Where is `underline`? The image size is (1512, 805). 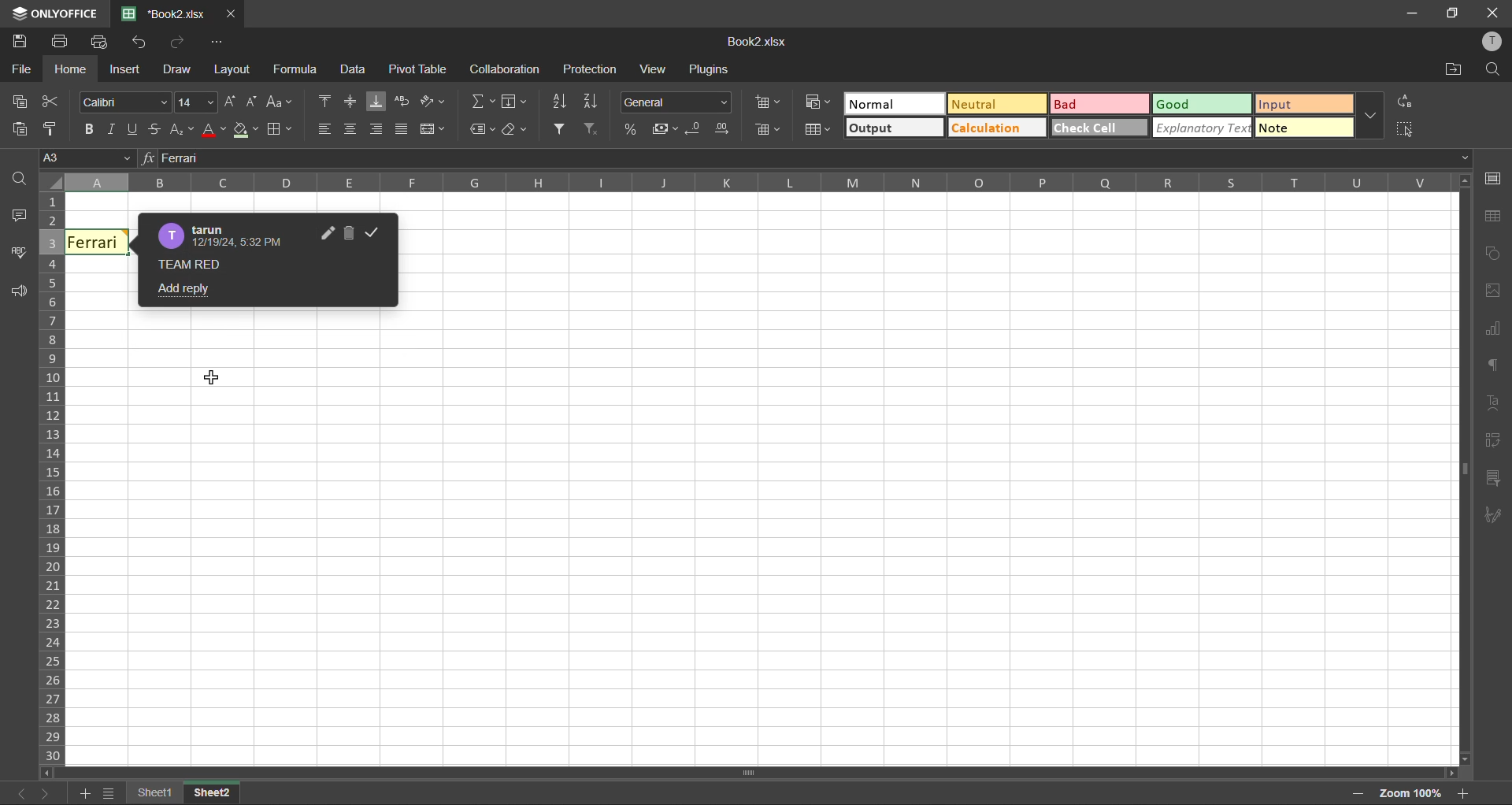
underline is located at coordinates (135, 129).